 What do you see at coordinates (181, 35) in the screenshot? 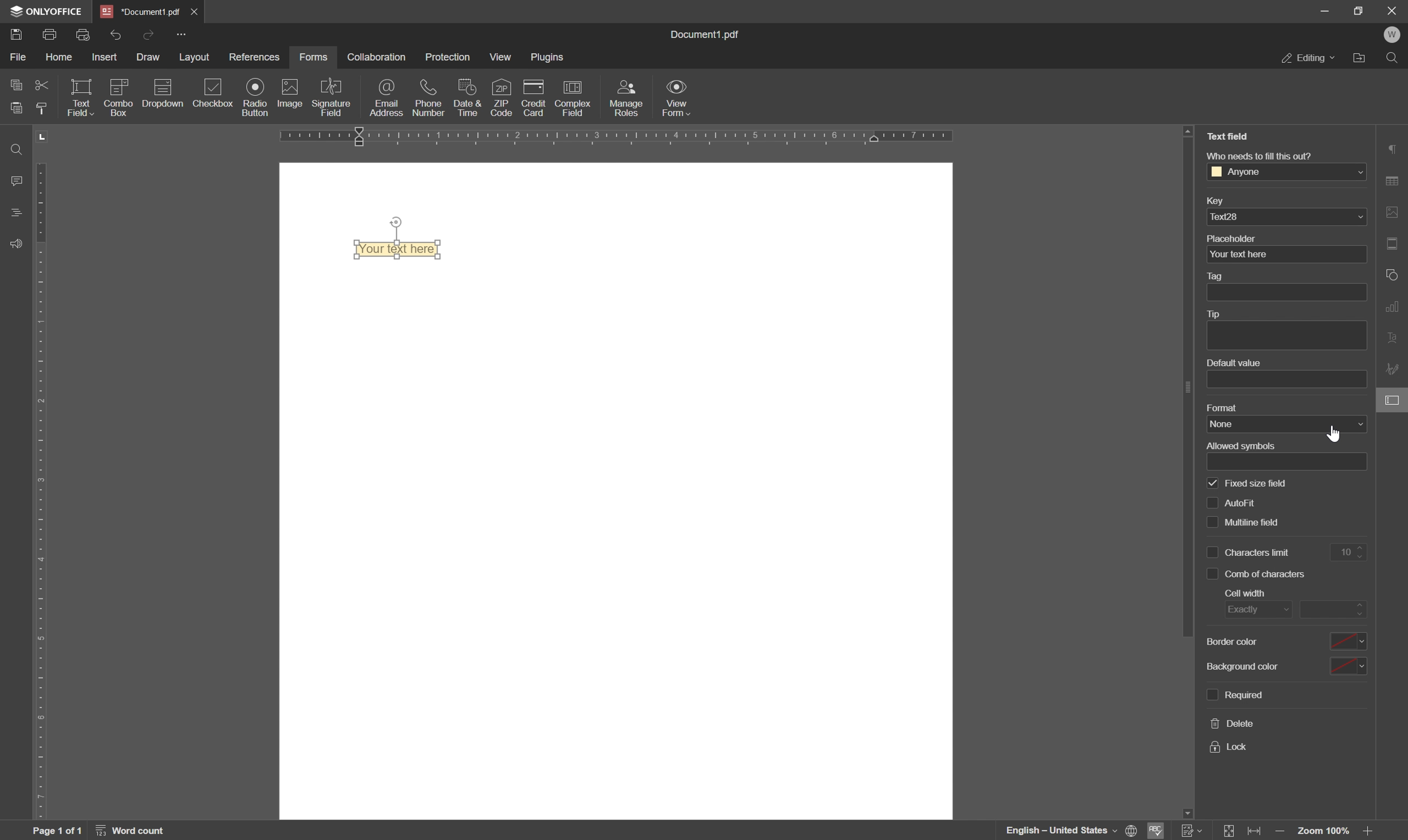
I see `customize quick access toolbar` at bounding box center [181, 35].